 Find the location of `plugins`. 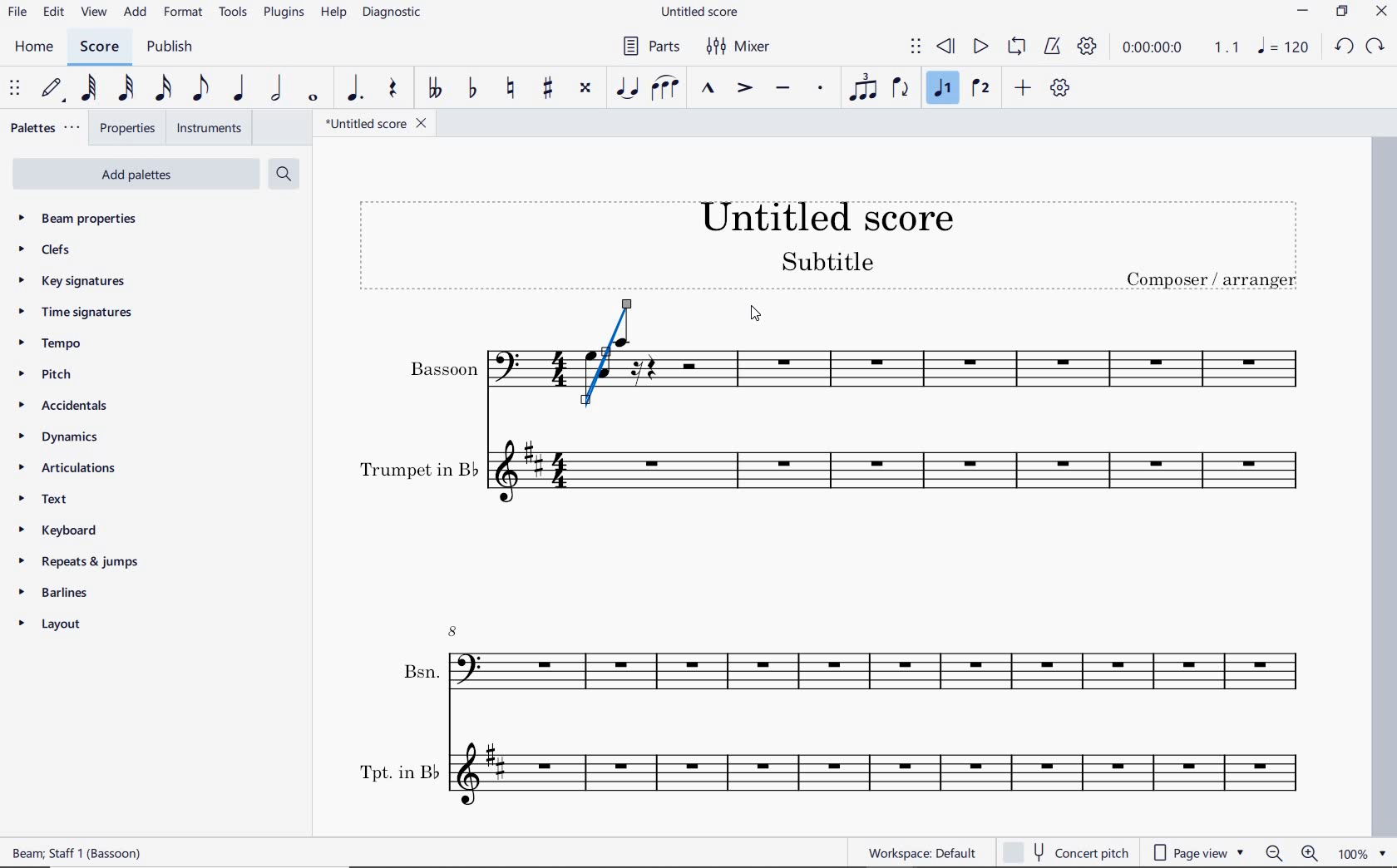

plugins is located at coordinates (286, 12).